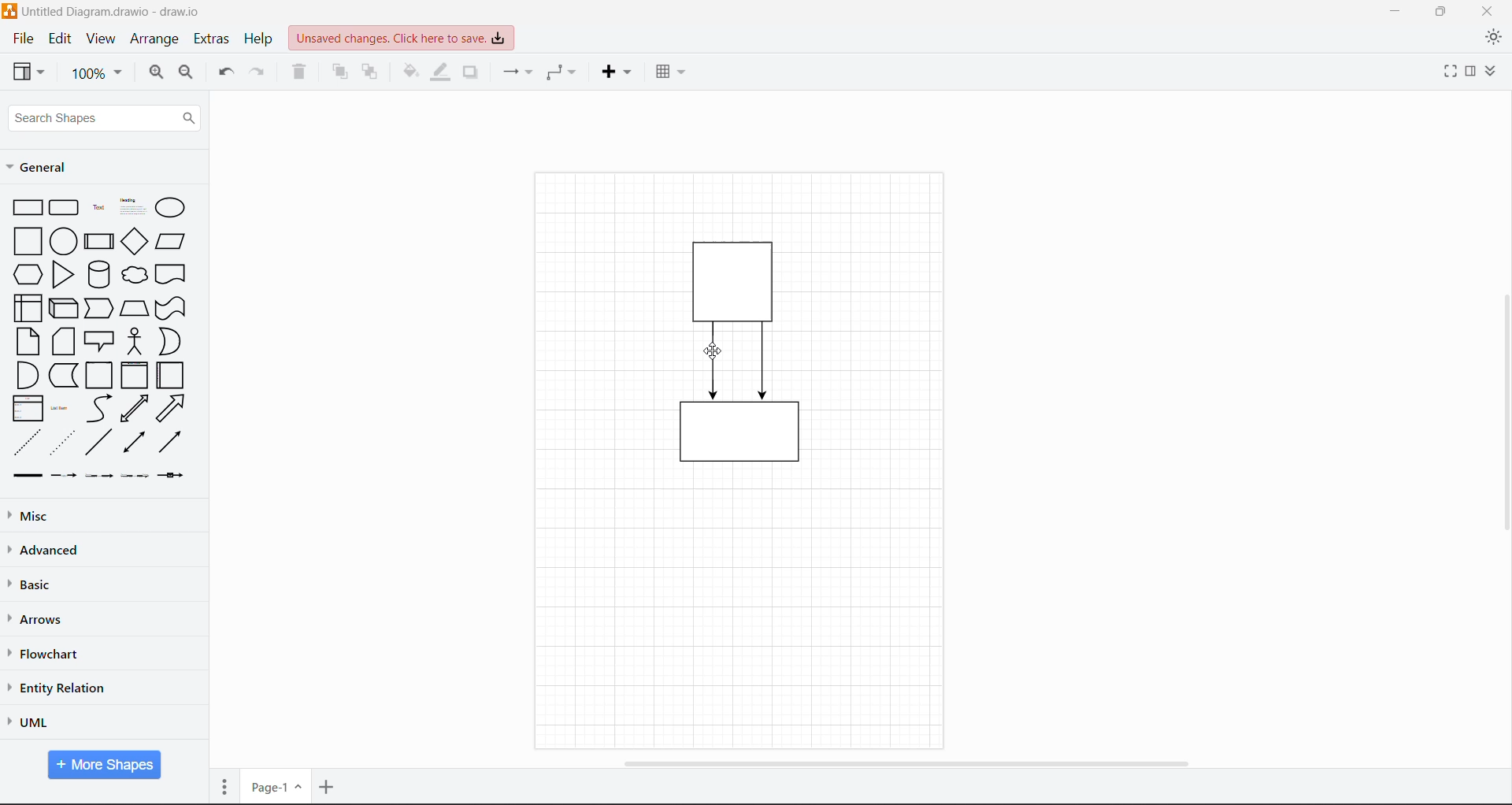 The image size is (1512, 805). I want to click on arrow, so click(172, 408).